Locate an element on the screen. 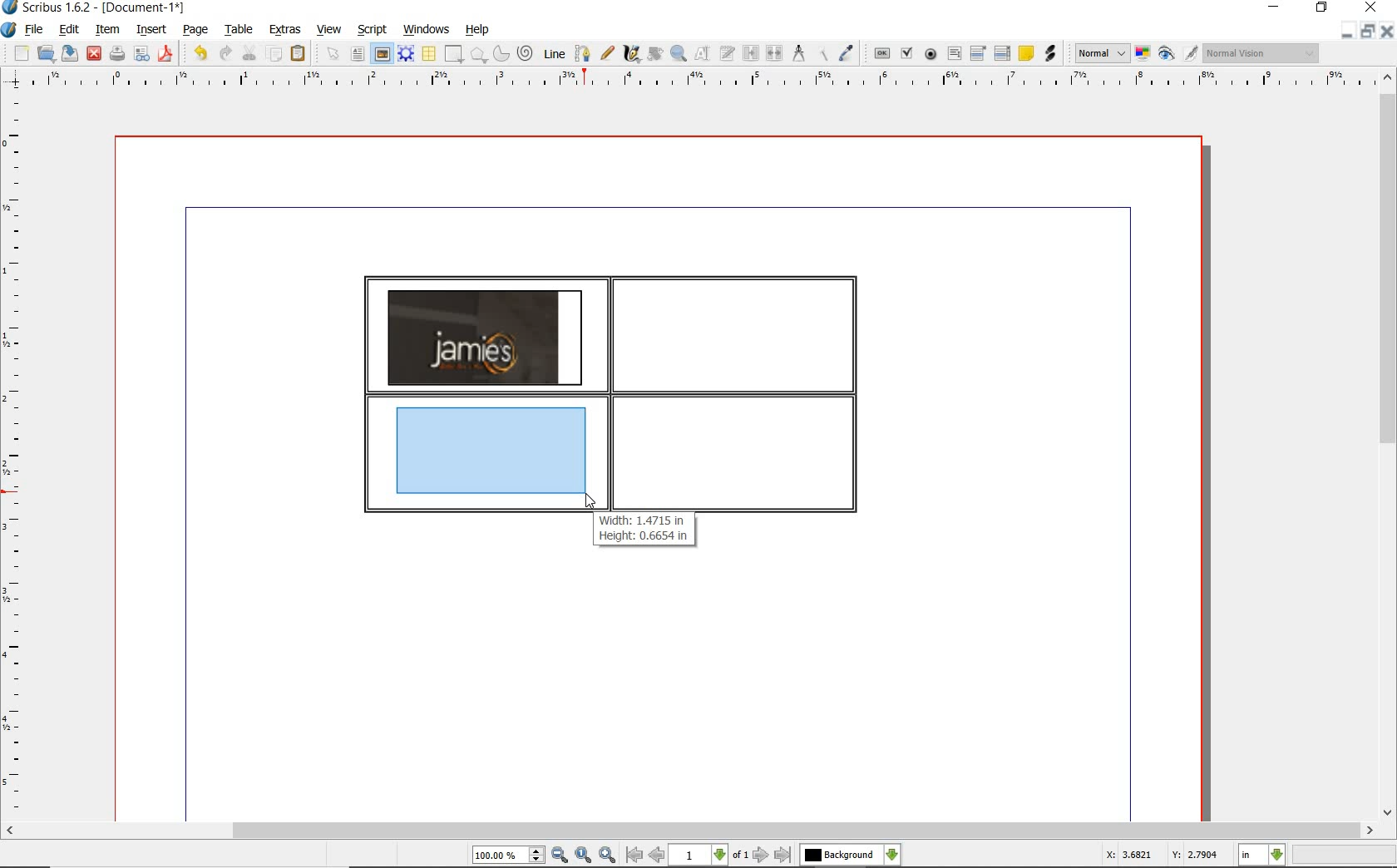 This screenshot has width=1397, height=868. table is located at coordinates (430, 55).